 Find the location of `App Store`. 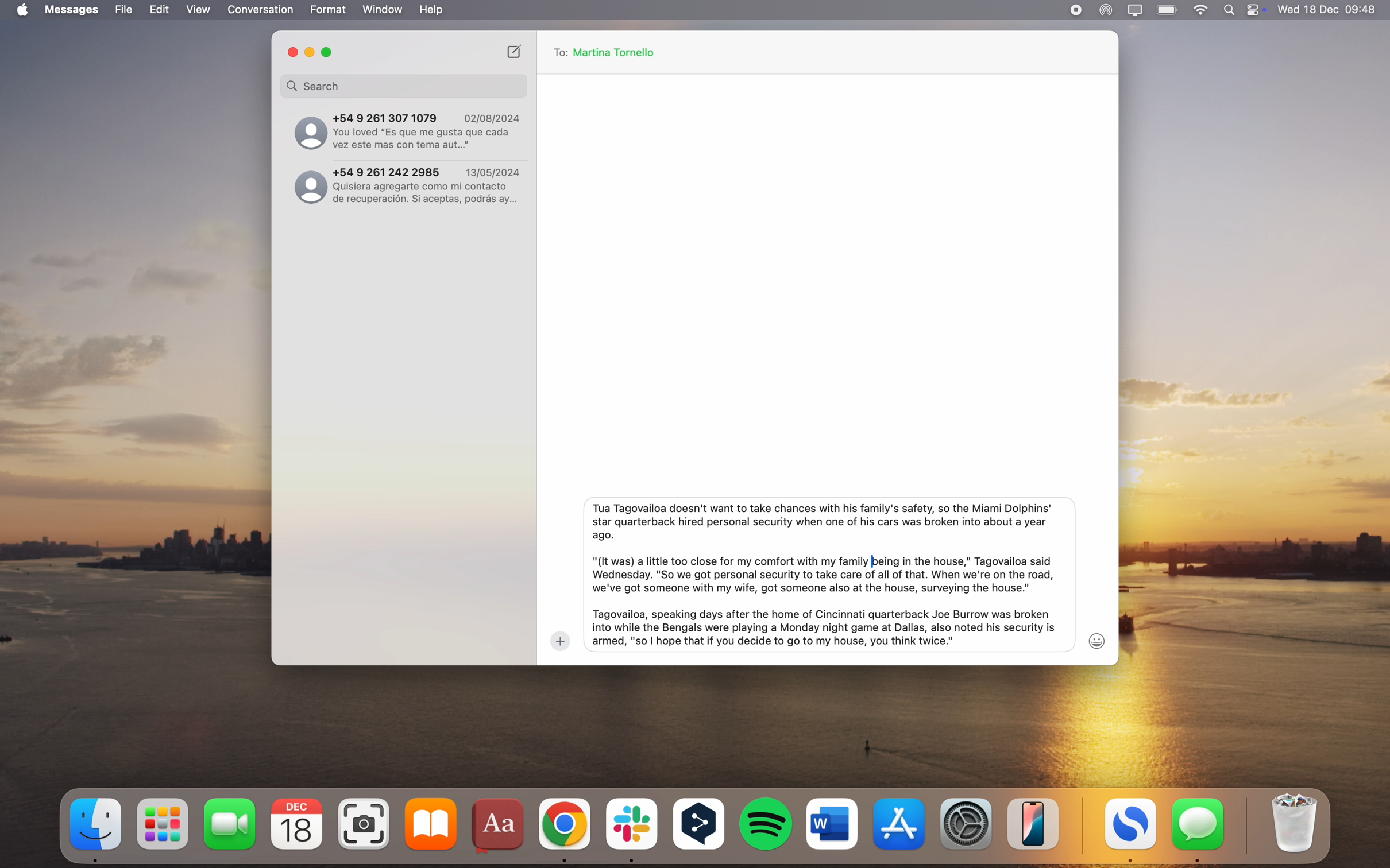

App Store is located at coordinates (902, 823).